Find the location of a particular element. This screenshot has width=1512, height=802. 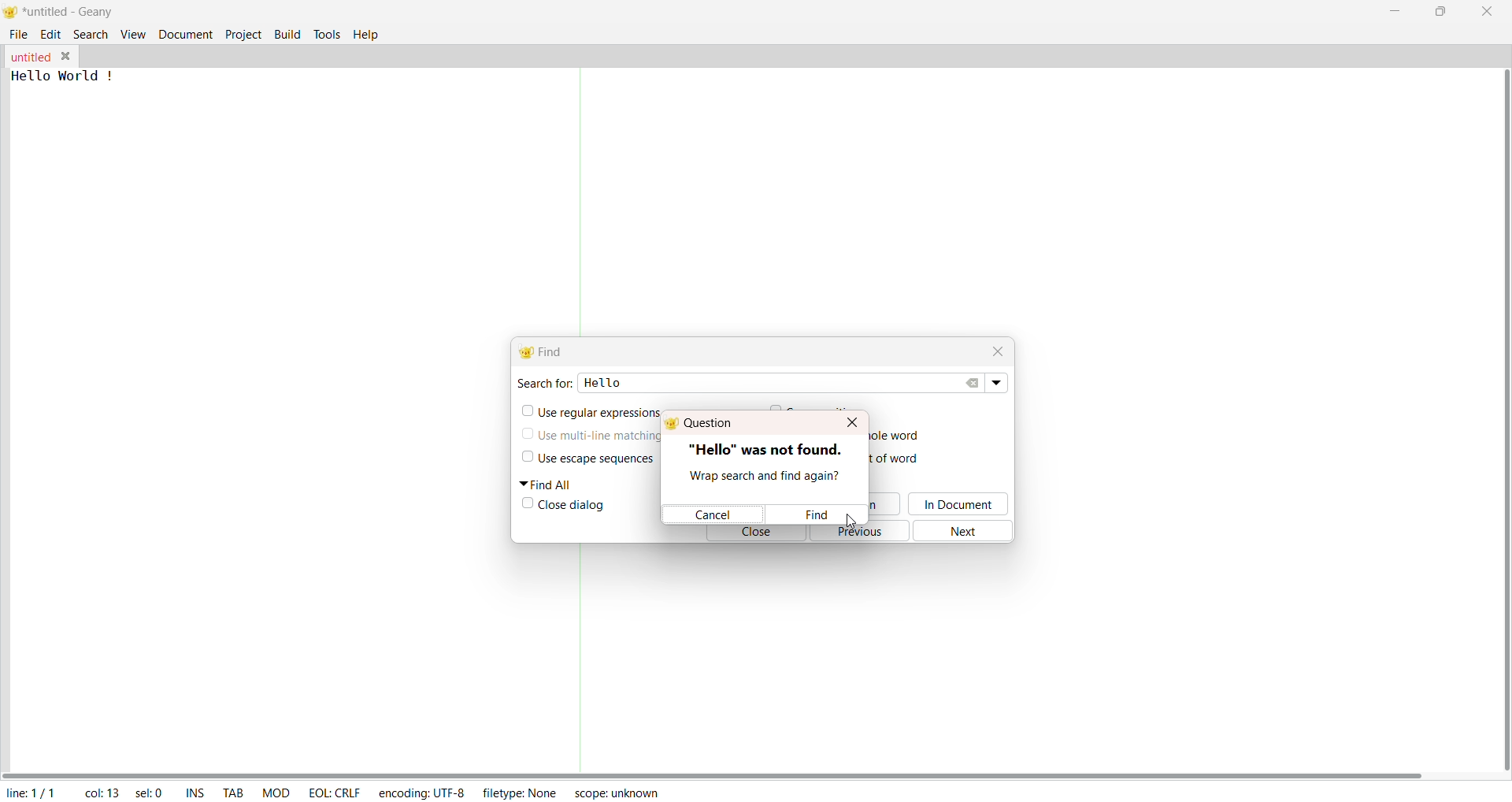

close is located at coordinates (756, 536).